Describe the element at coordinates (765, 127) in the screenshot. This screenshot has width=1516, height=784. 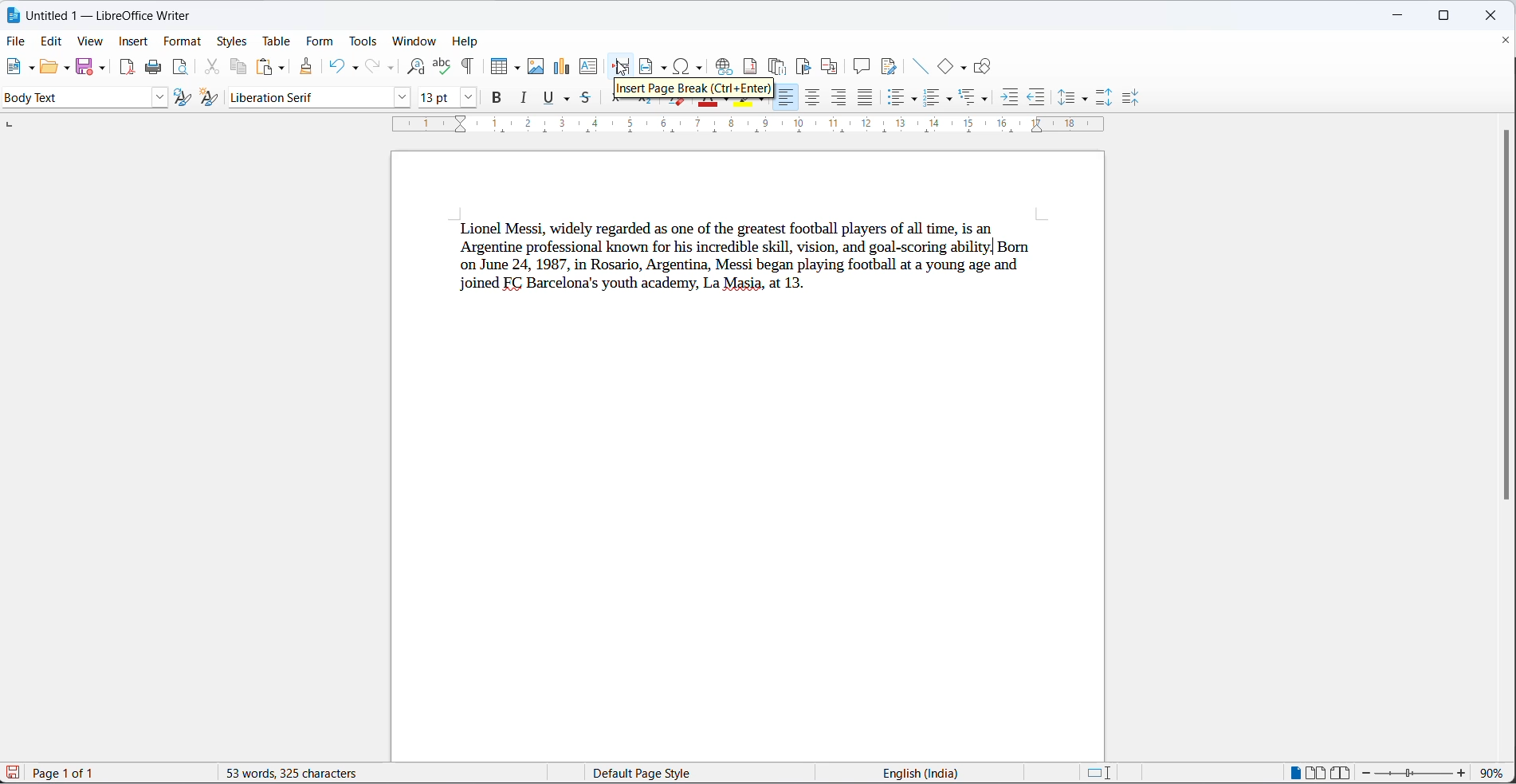
I see `scaling` at that location.